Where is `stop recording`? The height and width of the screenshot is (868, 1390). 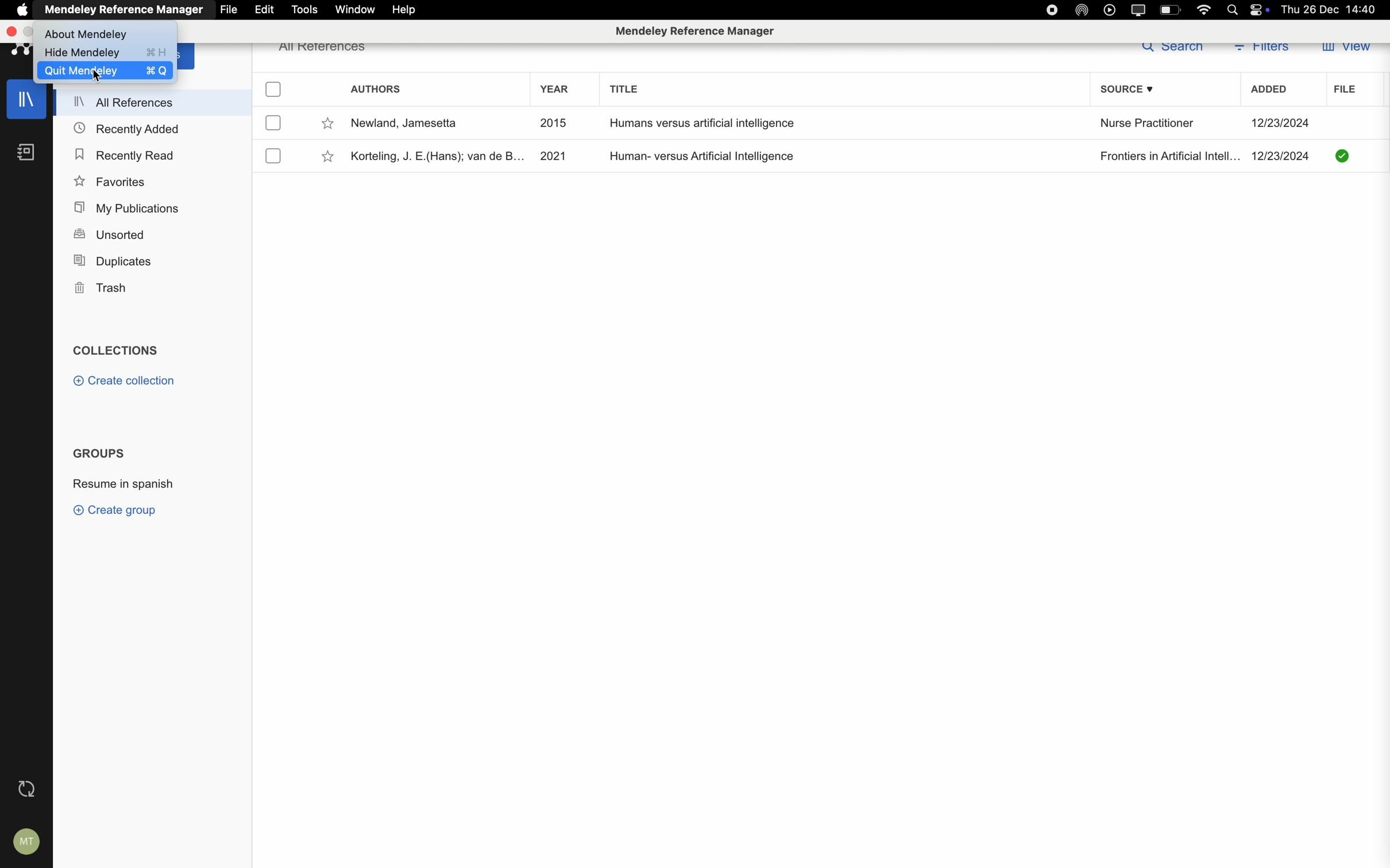
stop recording is located at coordinates (1049, 10).